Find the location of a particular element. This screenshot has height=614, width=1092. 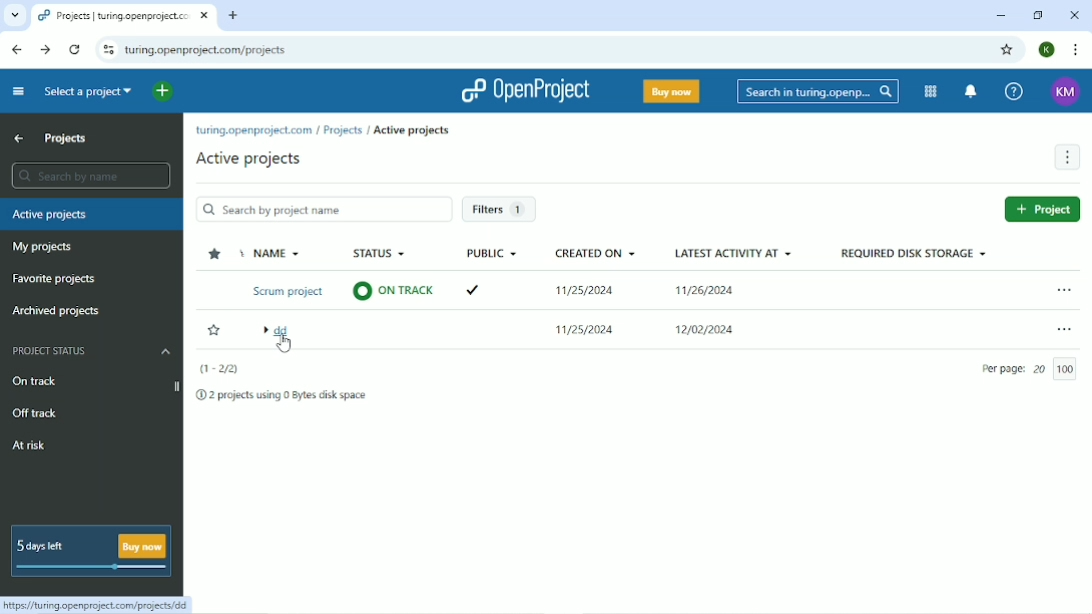

Projects is located at coordinates (68, 137).